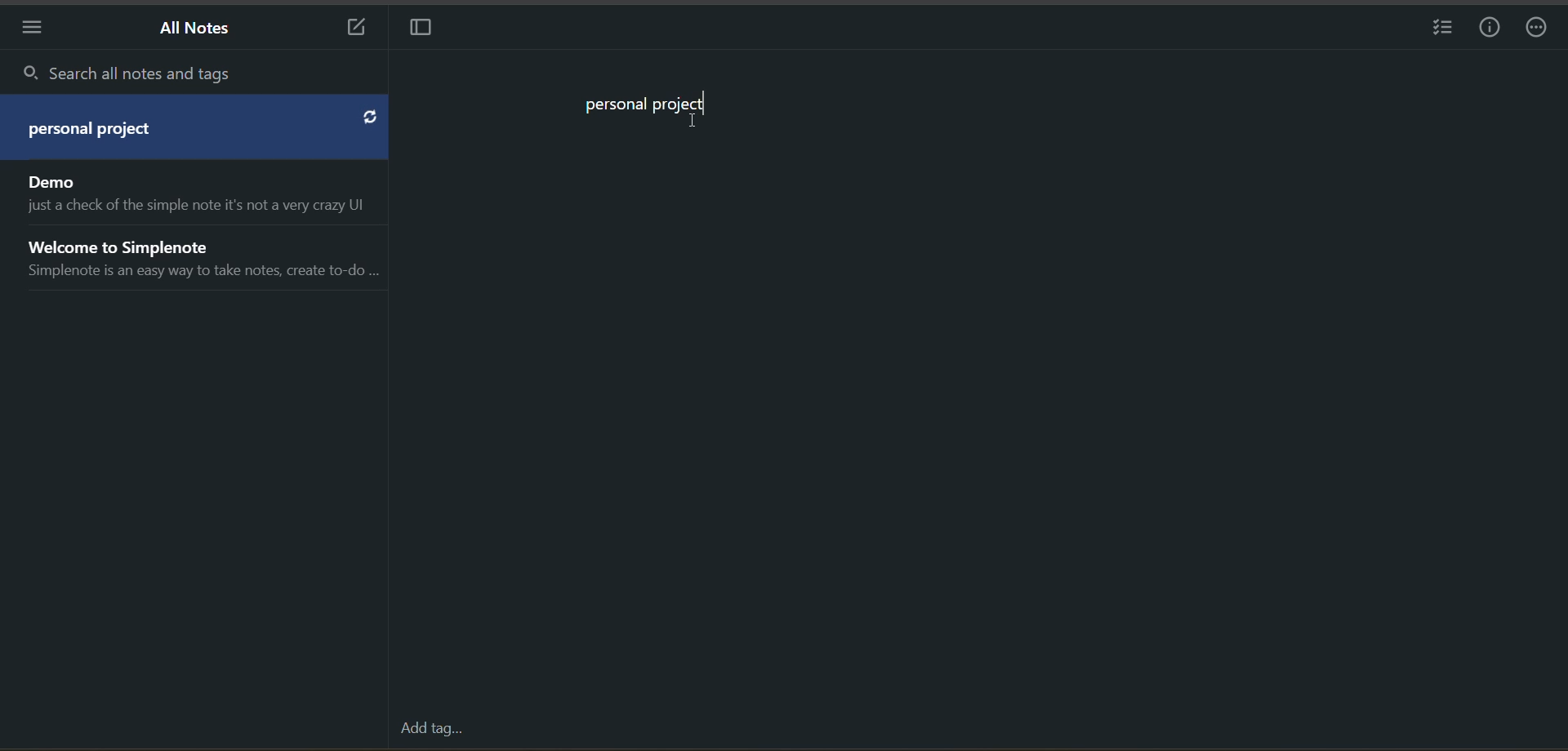  Describe the element at coordinates (369, 118) in the screenshot. I see `sync button` at that location.